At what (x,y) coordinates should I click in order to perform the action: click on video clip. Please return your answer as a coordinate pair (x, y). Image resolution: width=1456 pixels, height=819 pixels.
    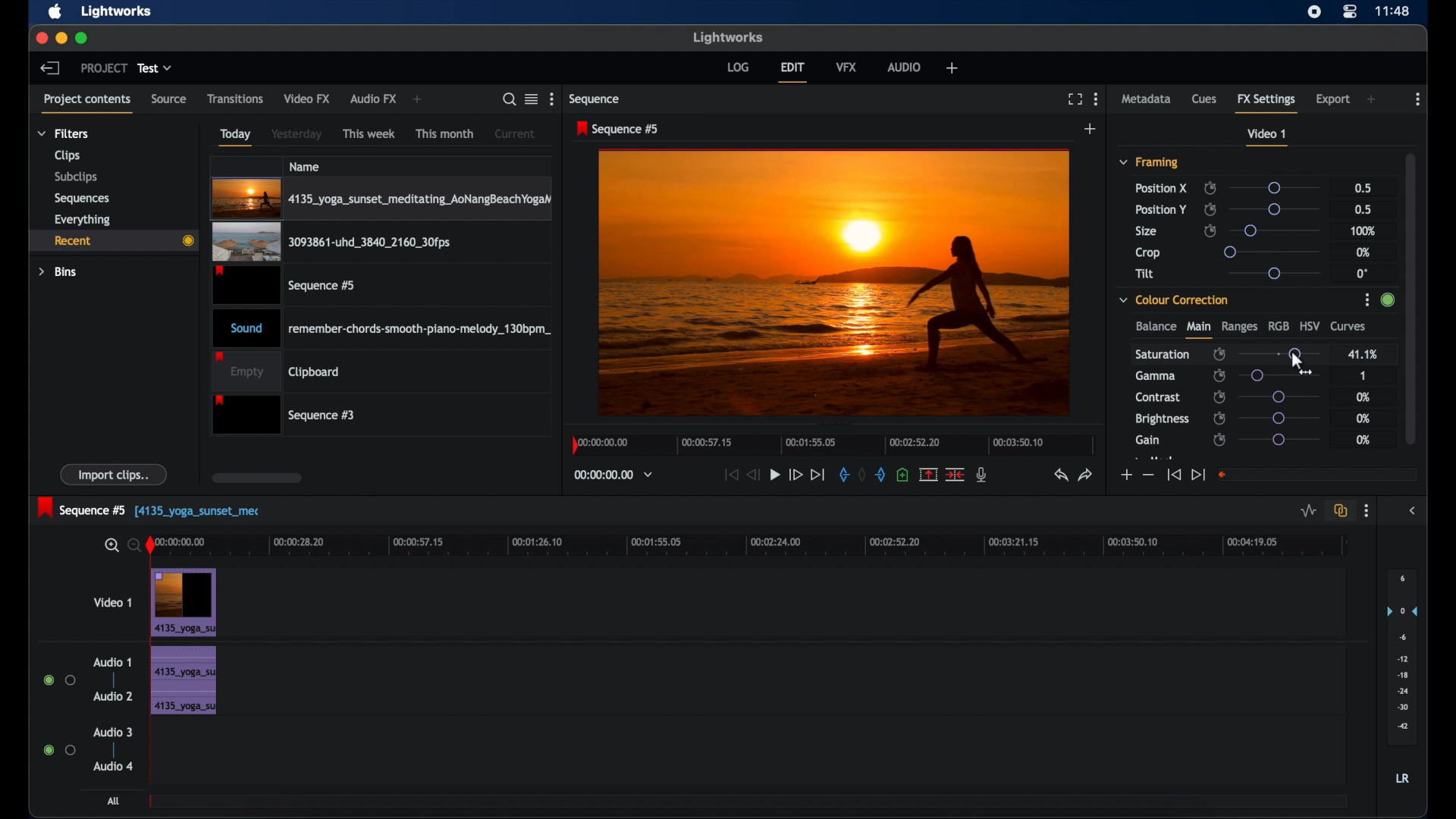
    Looking at the image, I should click on (331, 243).